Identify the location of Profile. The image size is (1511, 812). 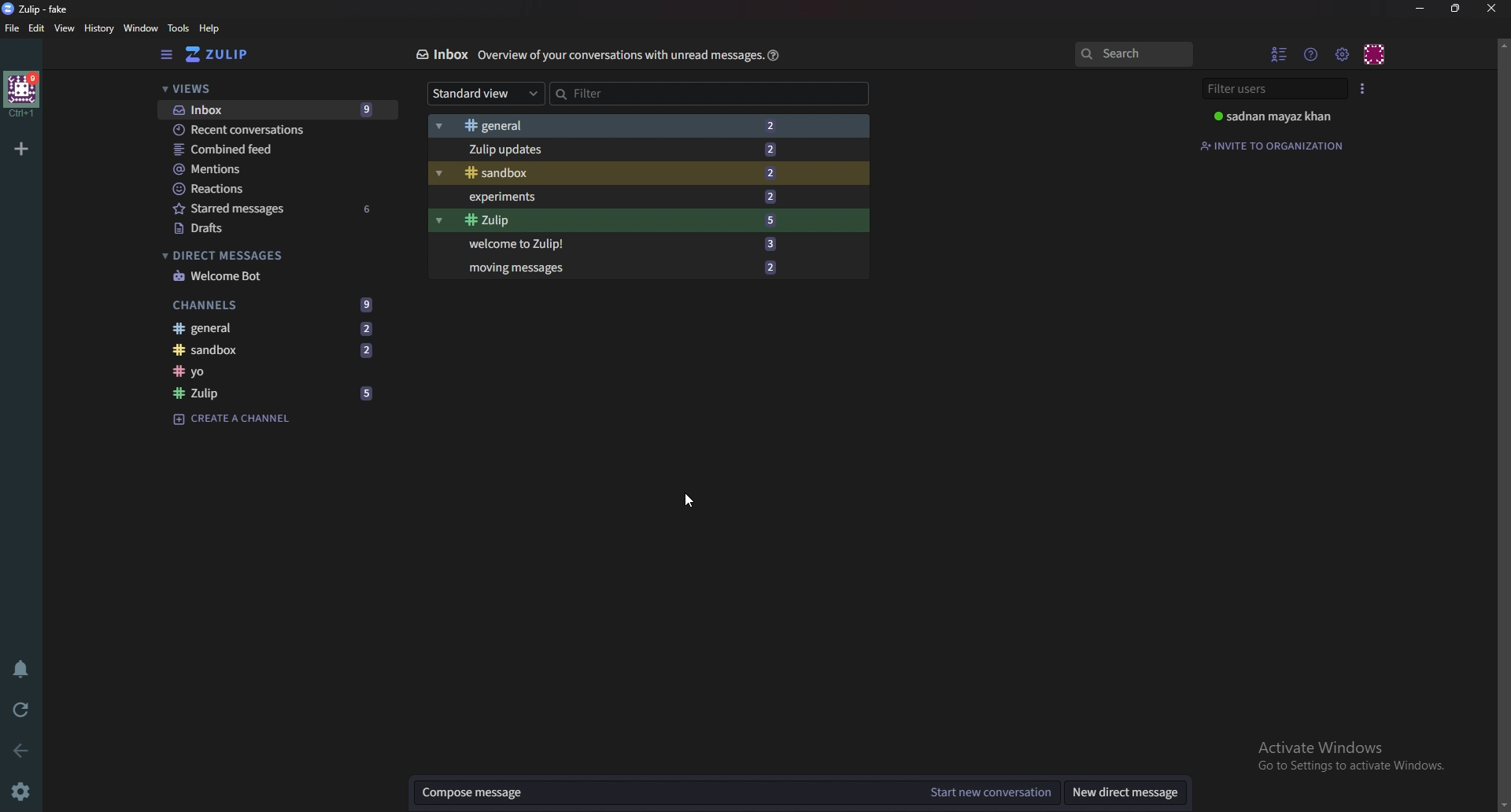
(1282, 116).